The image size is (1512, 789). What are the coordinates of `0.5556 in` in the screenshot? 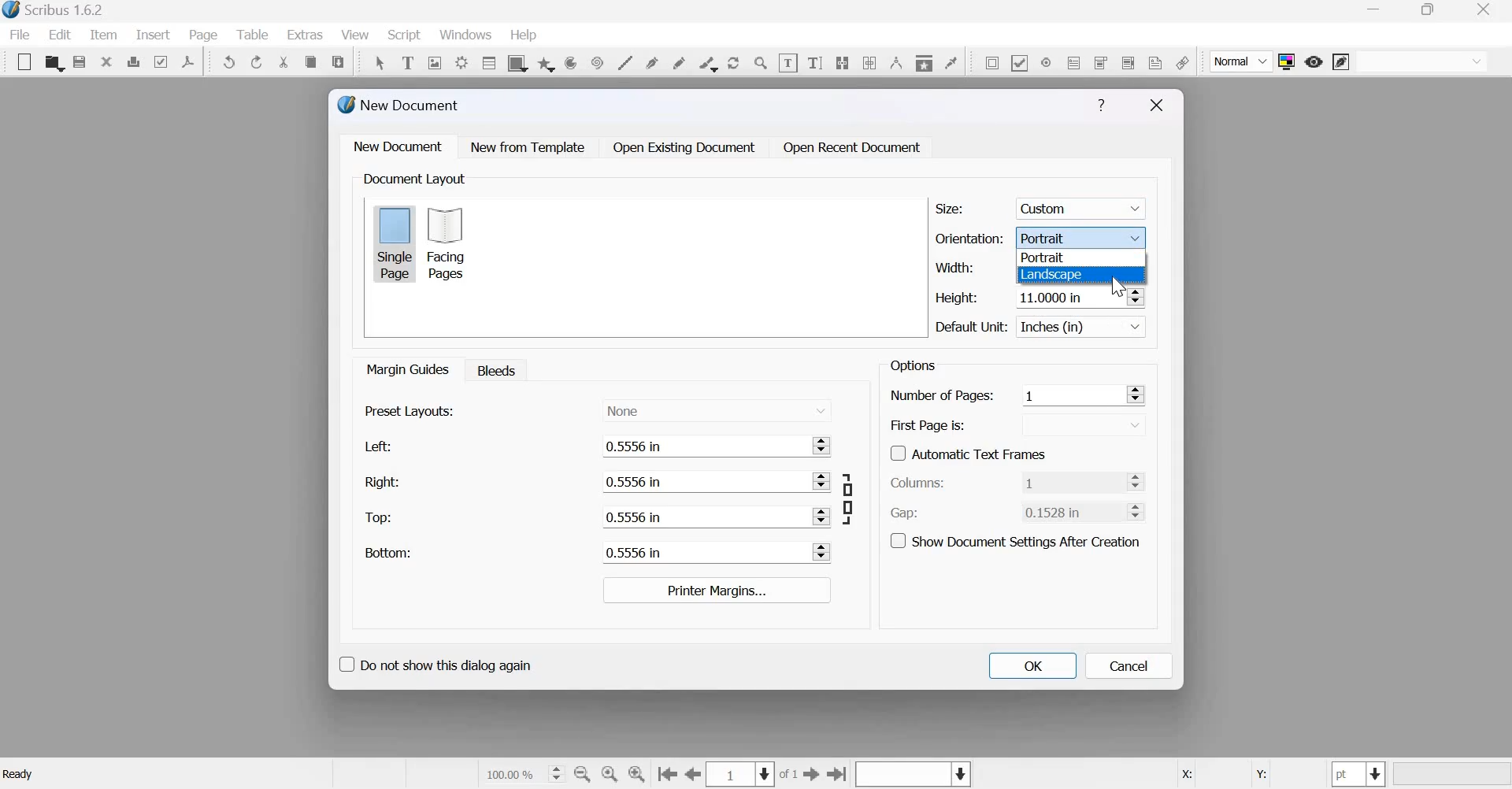 It's located at (702, 516).